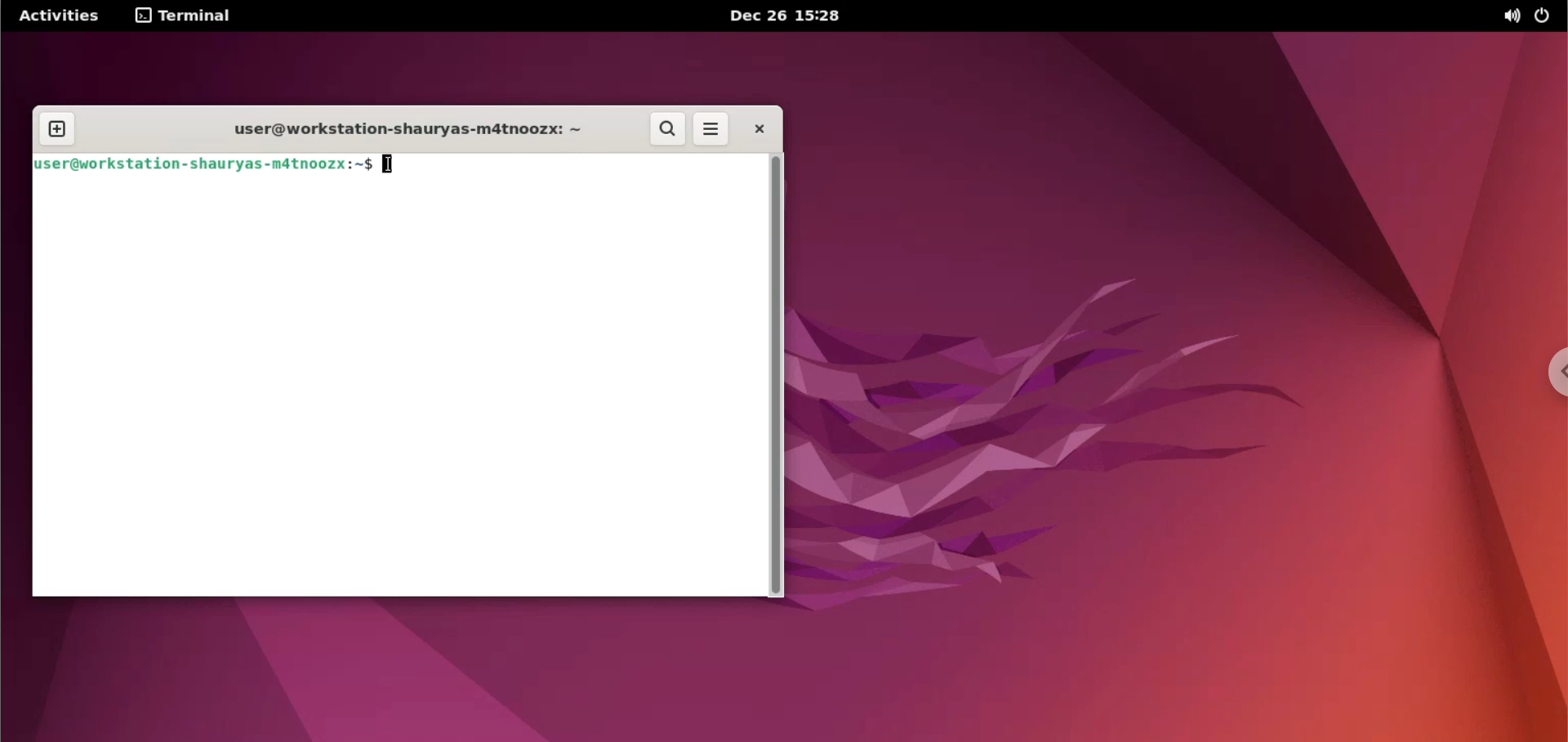  I want to click on search, so click(669, 129).